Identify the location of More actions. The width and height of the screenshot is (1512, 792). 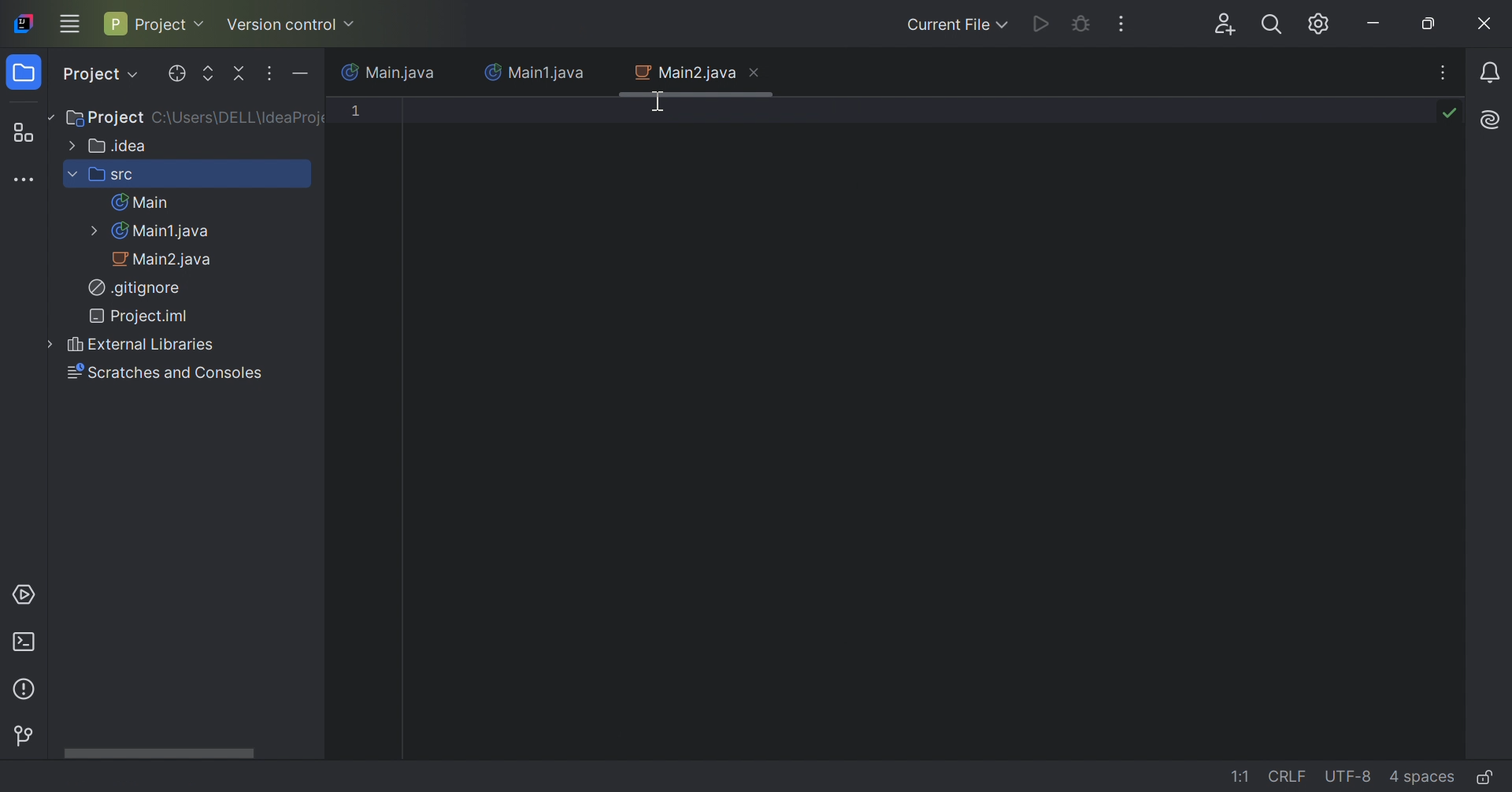
(1122, 24).